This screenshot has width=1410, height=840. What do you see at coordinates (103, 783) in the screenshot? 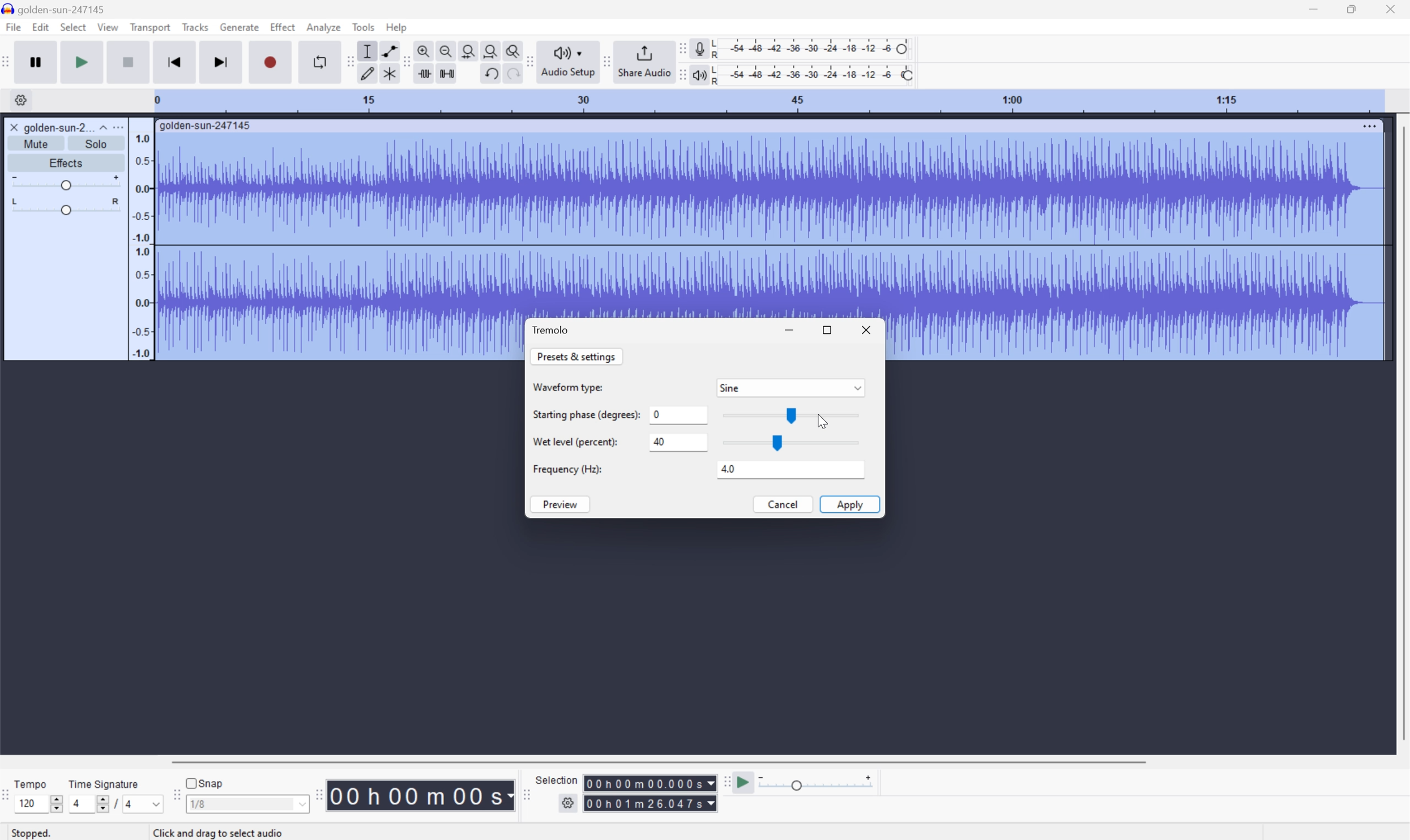
I see `Time signature` at bounding box center [103, 783].